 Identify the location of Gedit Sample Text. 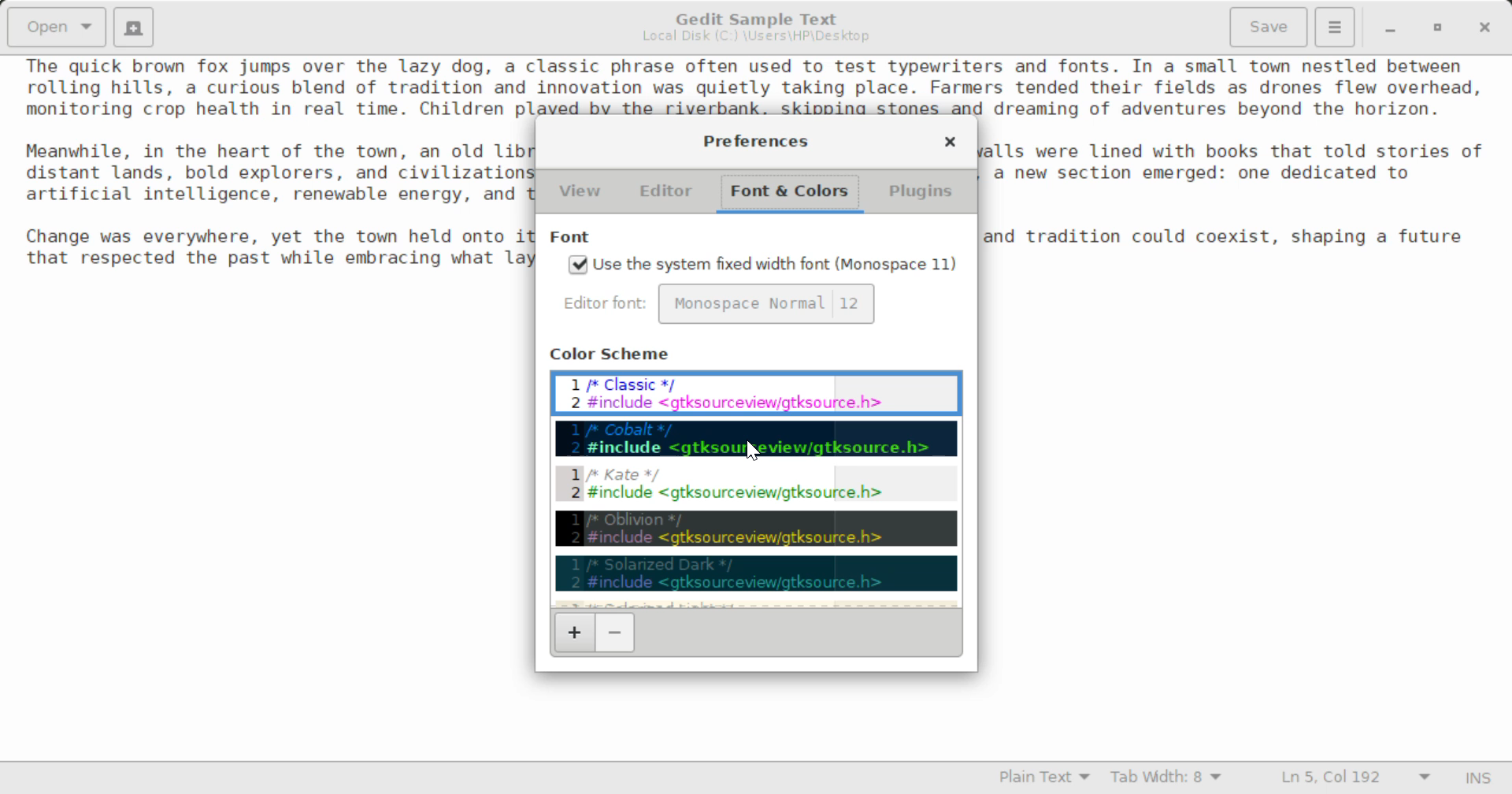
(752, 17).